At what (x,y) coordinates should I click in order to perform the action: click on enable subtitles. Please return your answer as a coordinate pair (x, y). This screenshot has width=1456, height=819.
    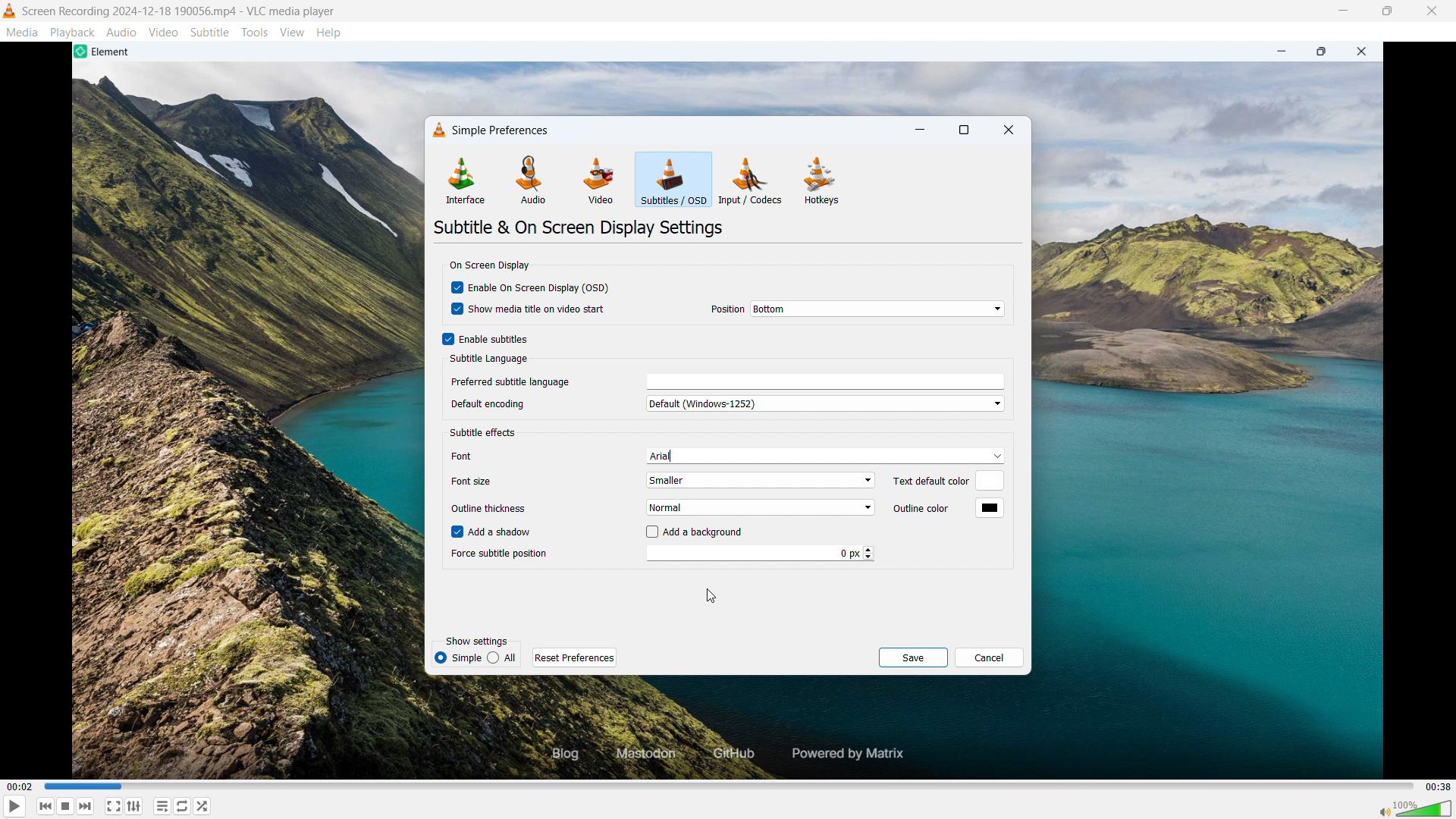
    Looking at the image, I should click on (485, 339).